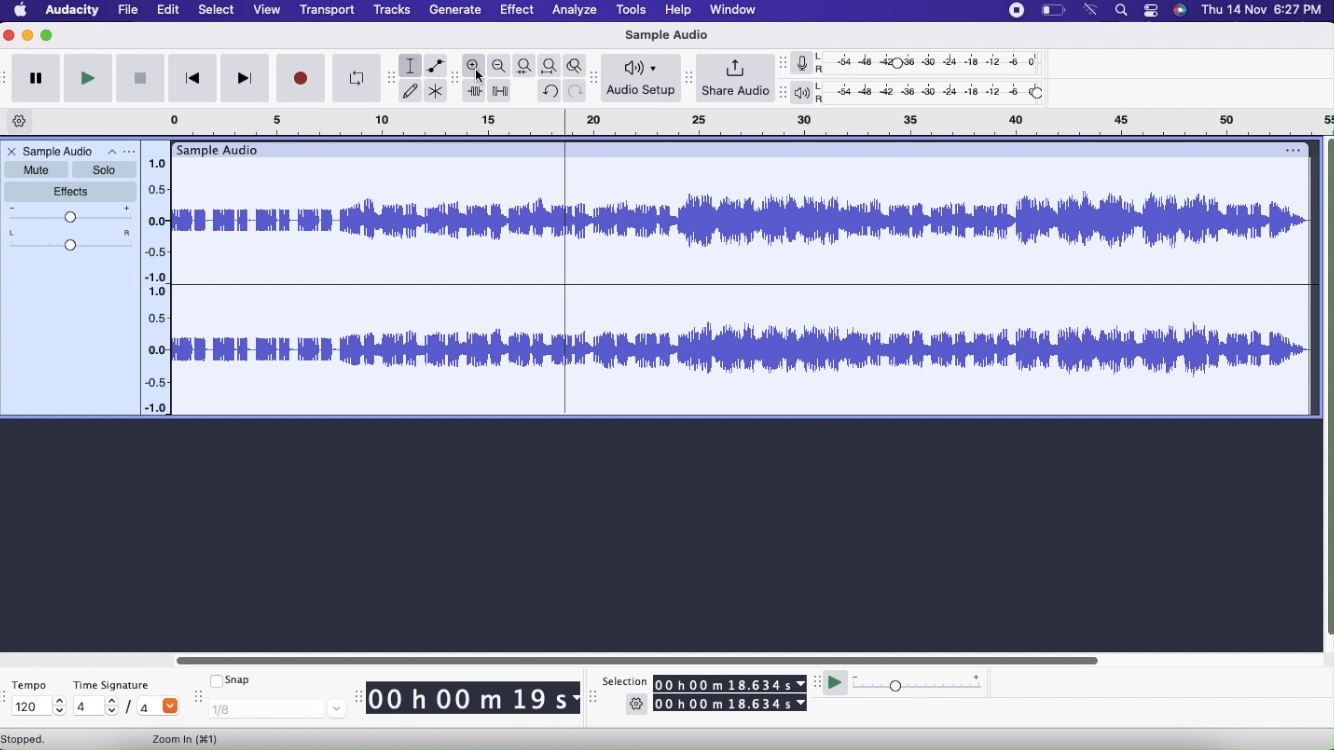 This screenshot has height=750, width=1334. Describe the element at coordinates (111, 685) in the screenshot. I see `Time Signature` at that location.